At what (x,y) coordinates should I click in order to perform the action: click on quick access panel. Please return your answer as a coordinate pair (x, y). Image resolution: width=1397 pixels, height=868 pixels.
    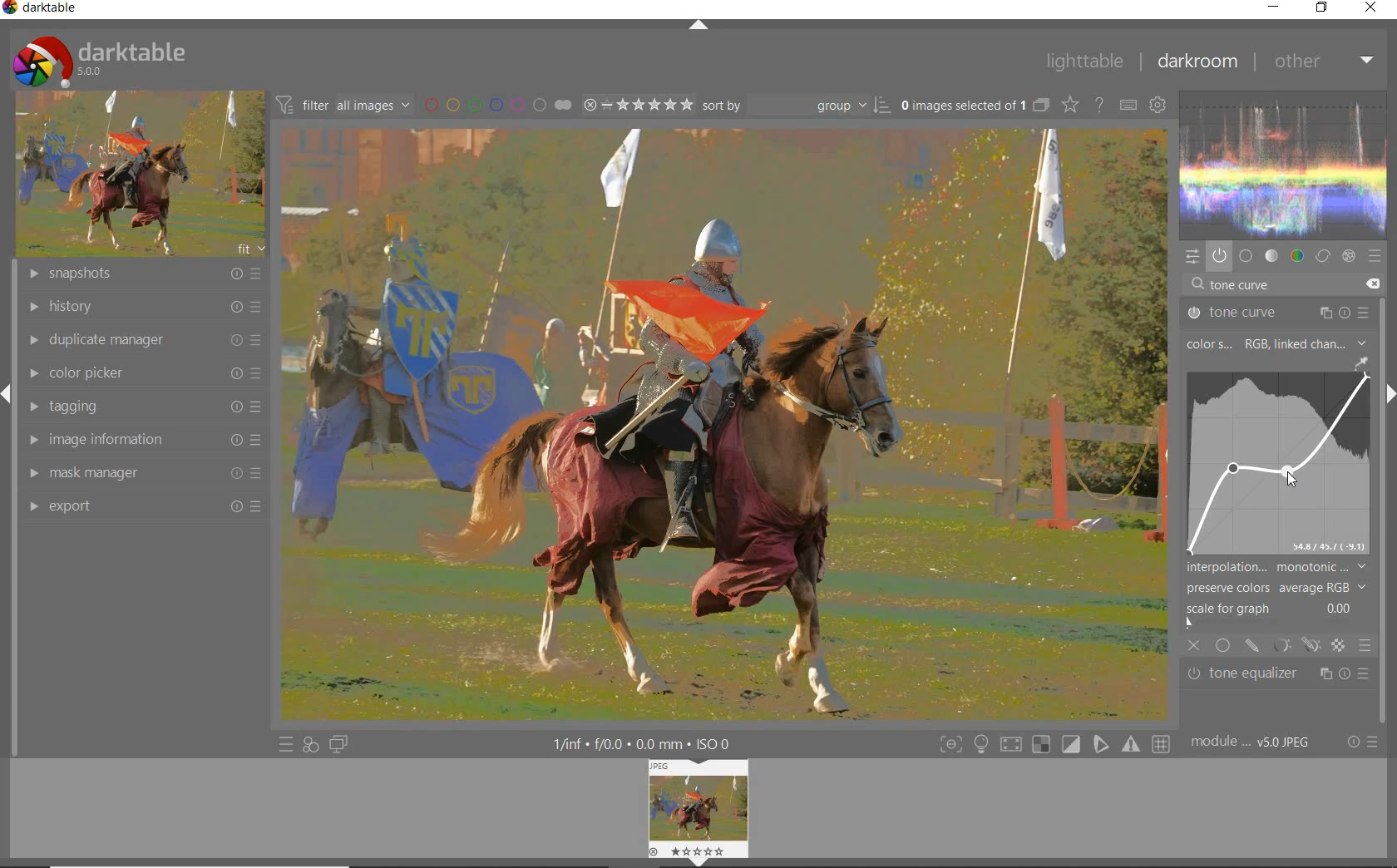
    Looking at the image, I should click on (1190, 256).